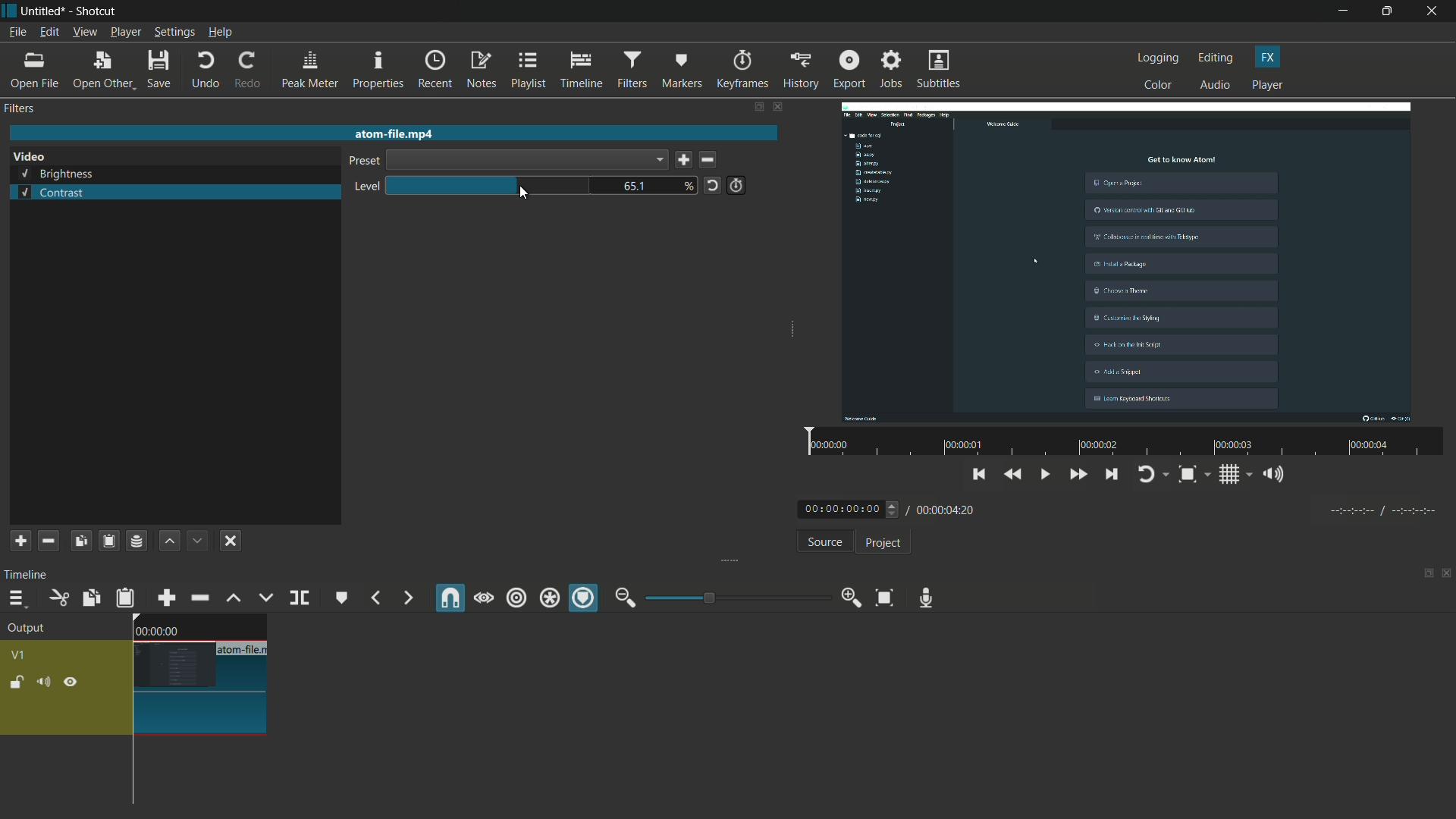  Describe the element at coordinates (80, 541) in the screenshot. I see `copy filters` at that location.